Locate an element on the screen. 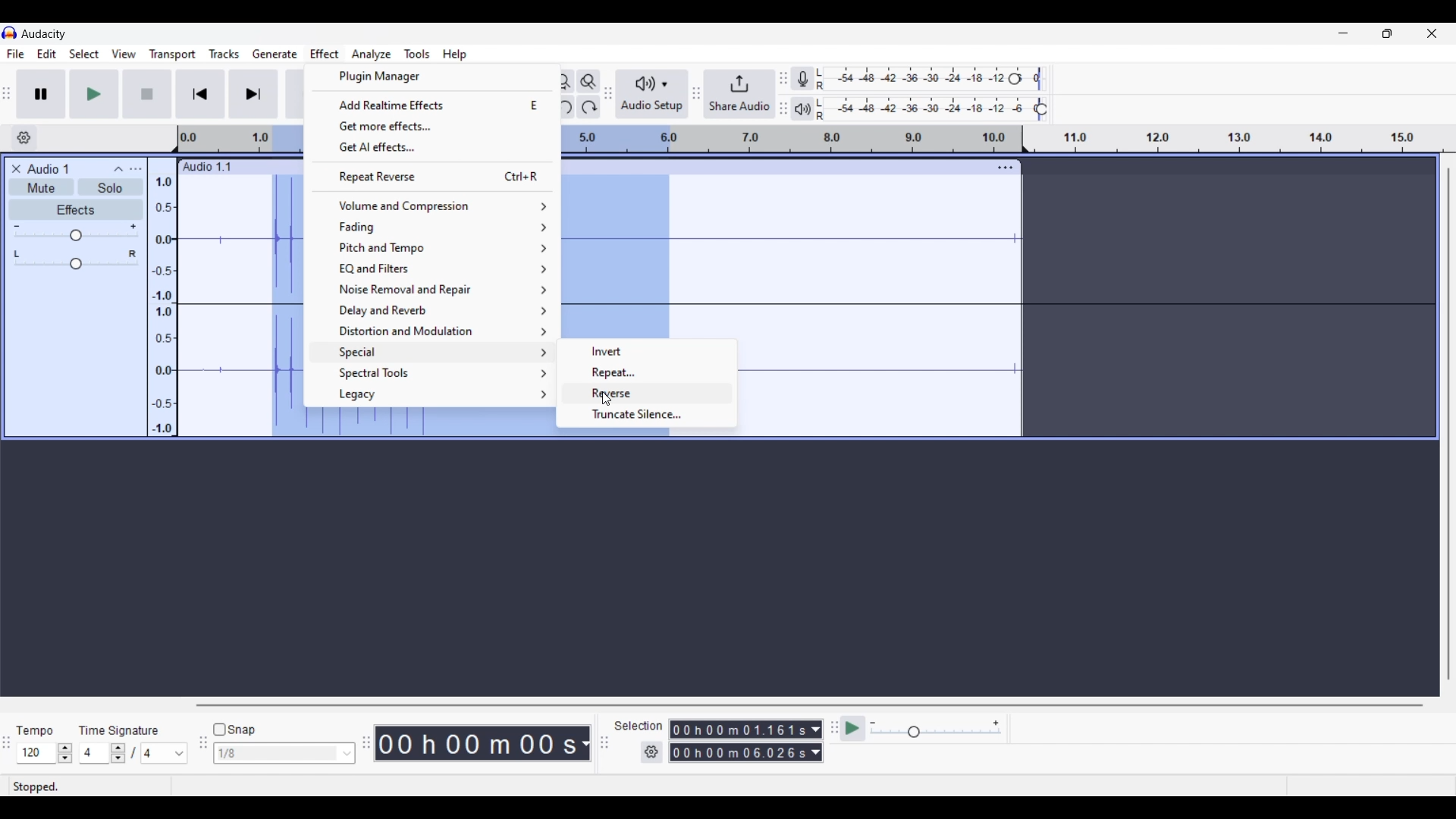 The image size is (1456, 819). Gain is located at coordinates (76, 235).